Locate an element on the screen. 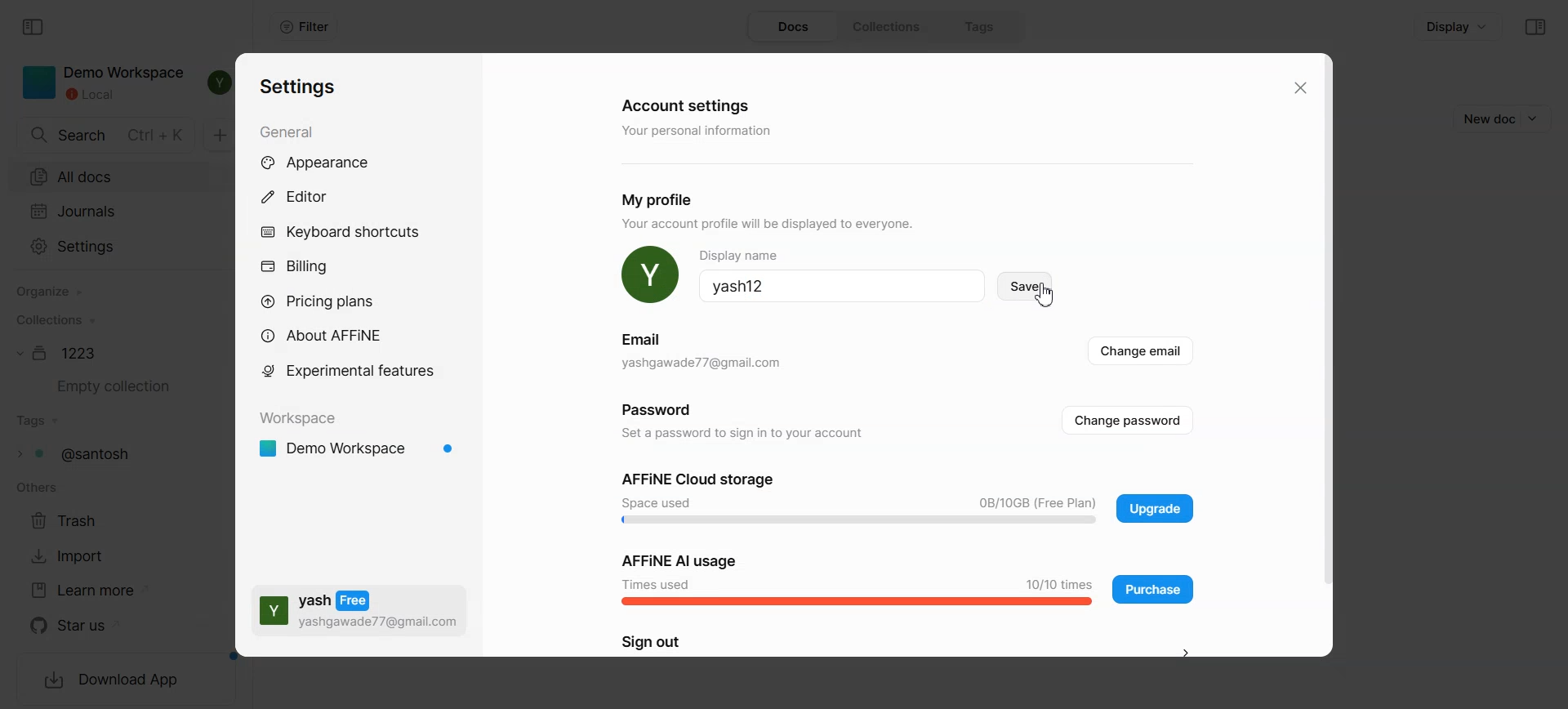 This screenshot has height=709, width=1568. Collapse sidebar is located at coordinates (34, 28).